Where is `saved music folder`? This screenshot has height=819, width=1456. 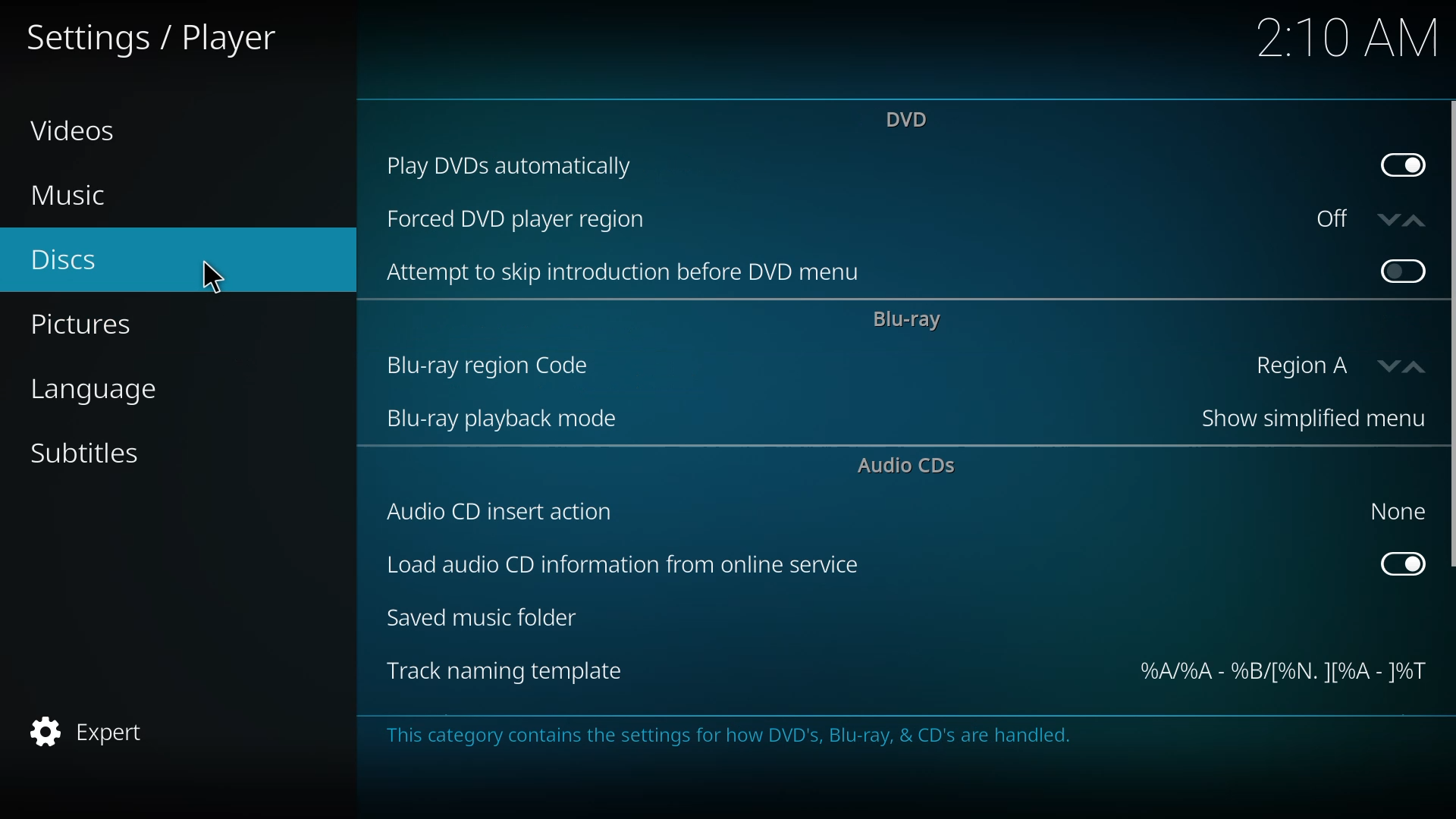 saved music folder is located at coordinates (481, 617).